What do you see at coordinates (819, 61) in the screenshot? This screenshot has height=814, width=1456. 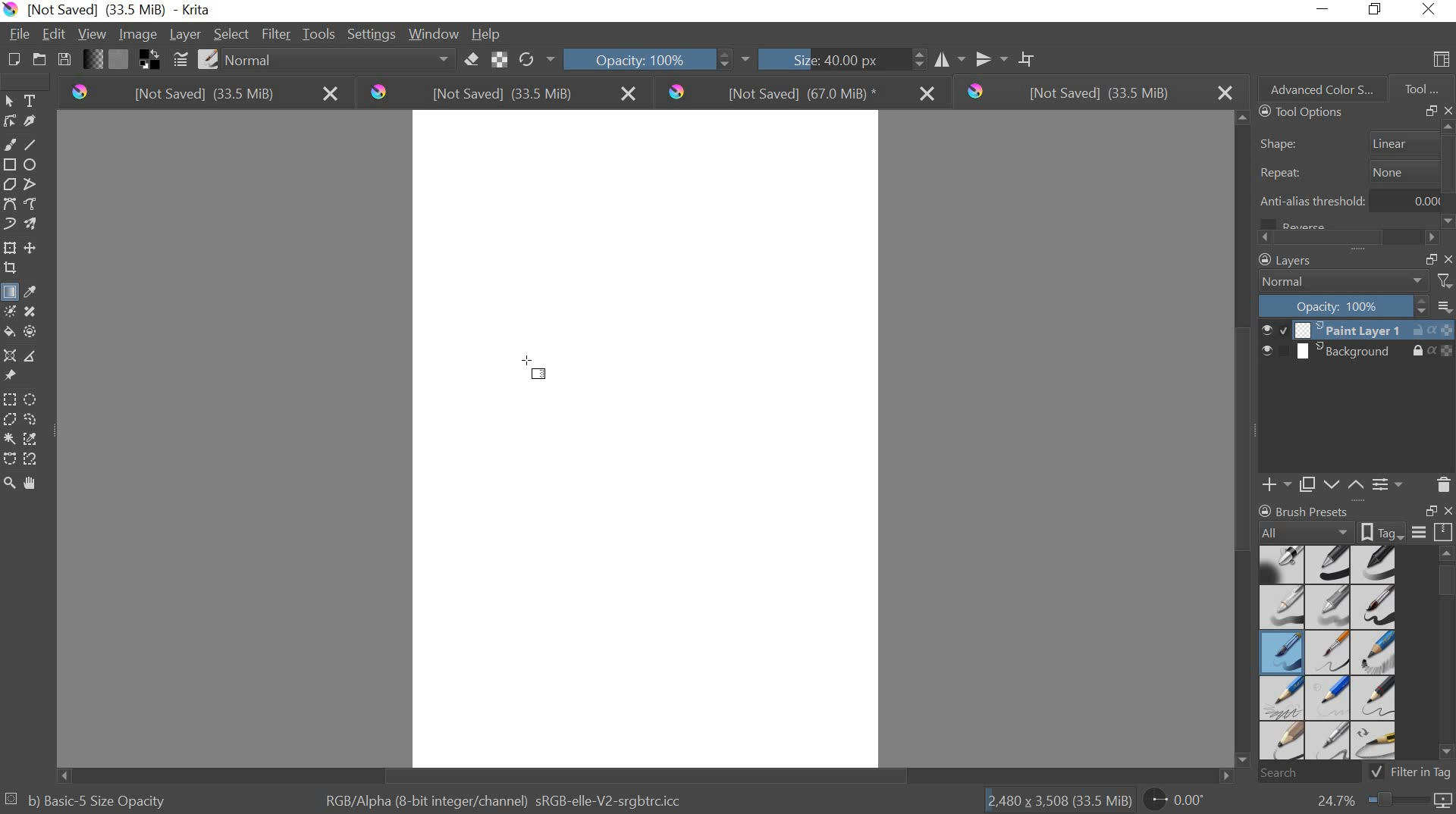 I see `SIZE` at bounding box center [819, 61].